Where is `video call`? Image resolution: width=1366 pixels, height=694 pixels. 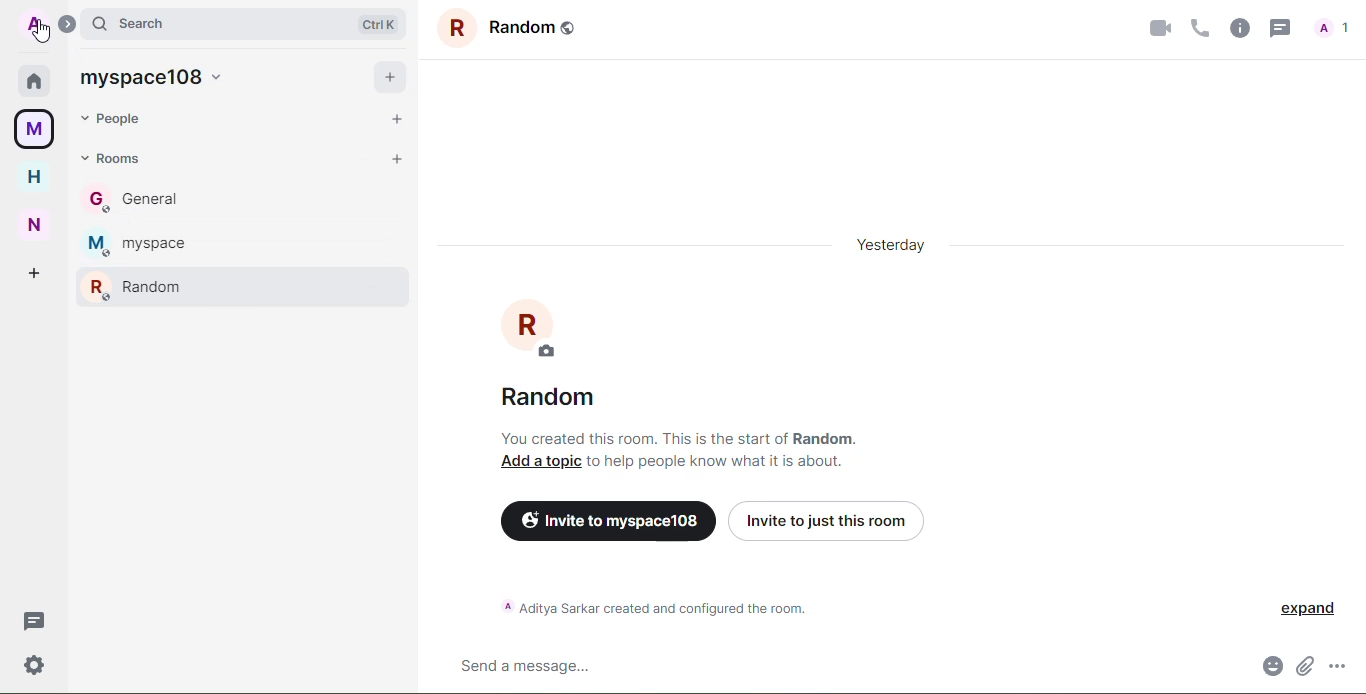 video call is located at coordinates (1152, 28).